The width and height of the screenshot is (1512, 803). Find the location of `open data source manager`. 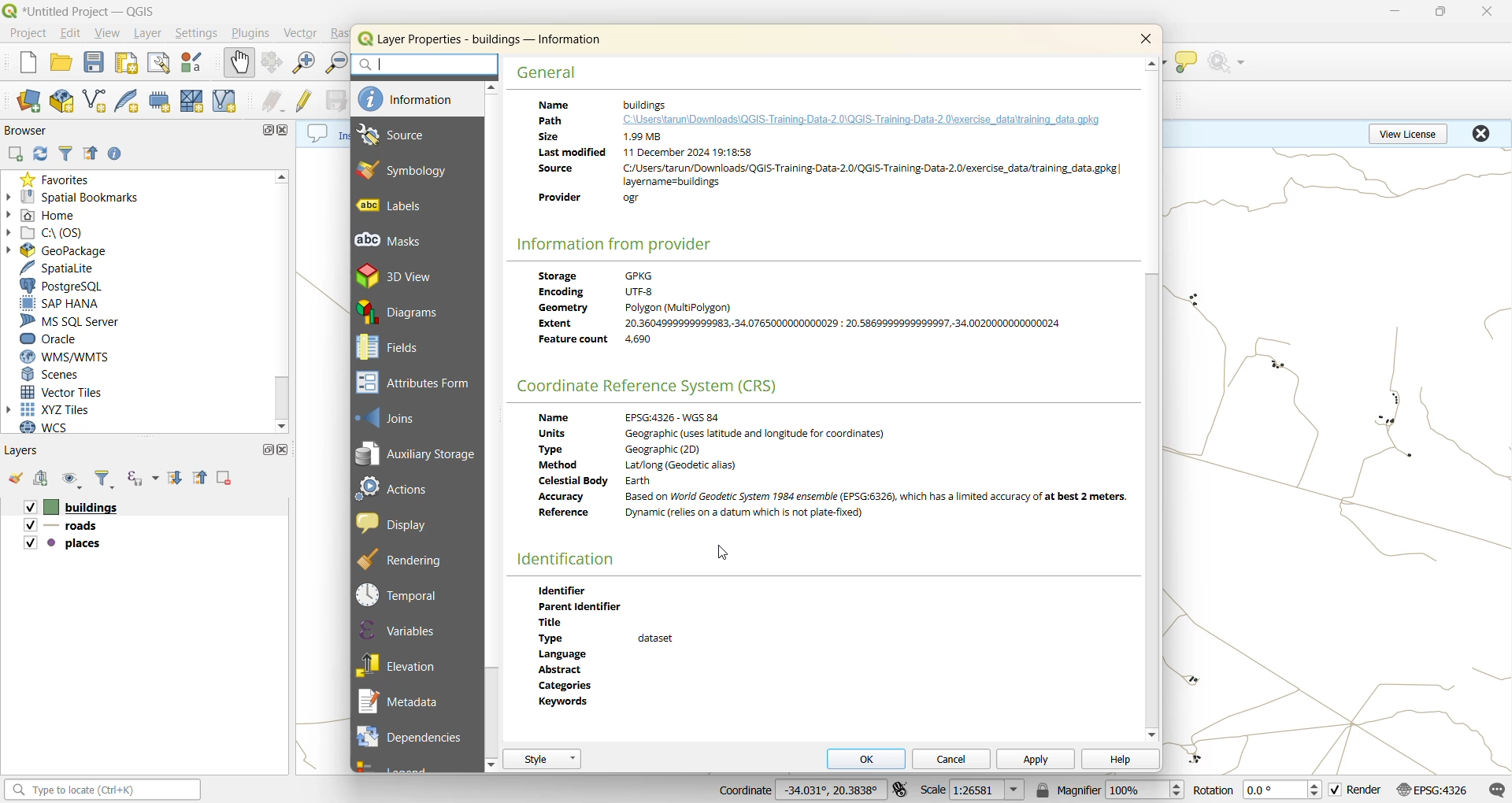

open data source manager is located at coordinates (31, 100).